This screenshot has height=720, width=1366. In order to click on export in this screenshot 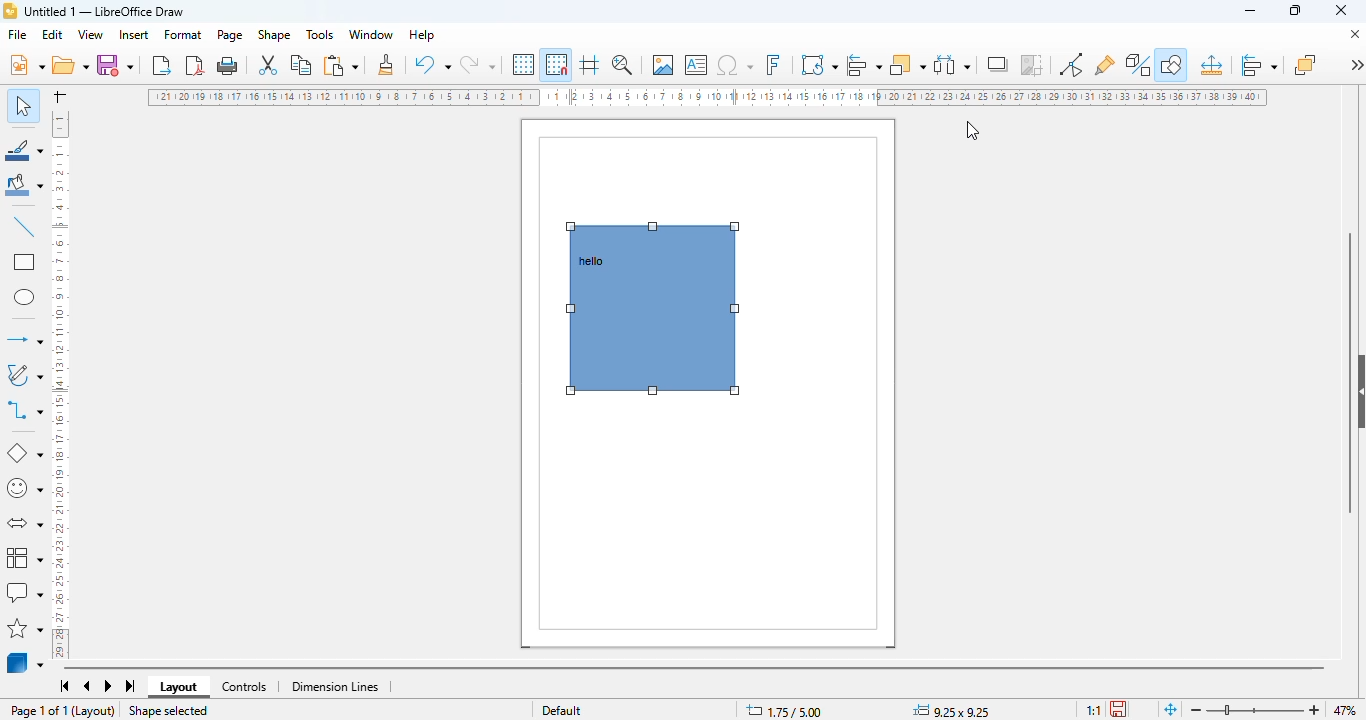, I will do `click(162, 64)`.